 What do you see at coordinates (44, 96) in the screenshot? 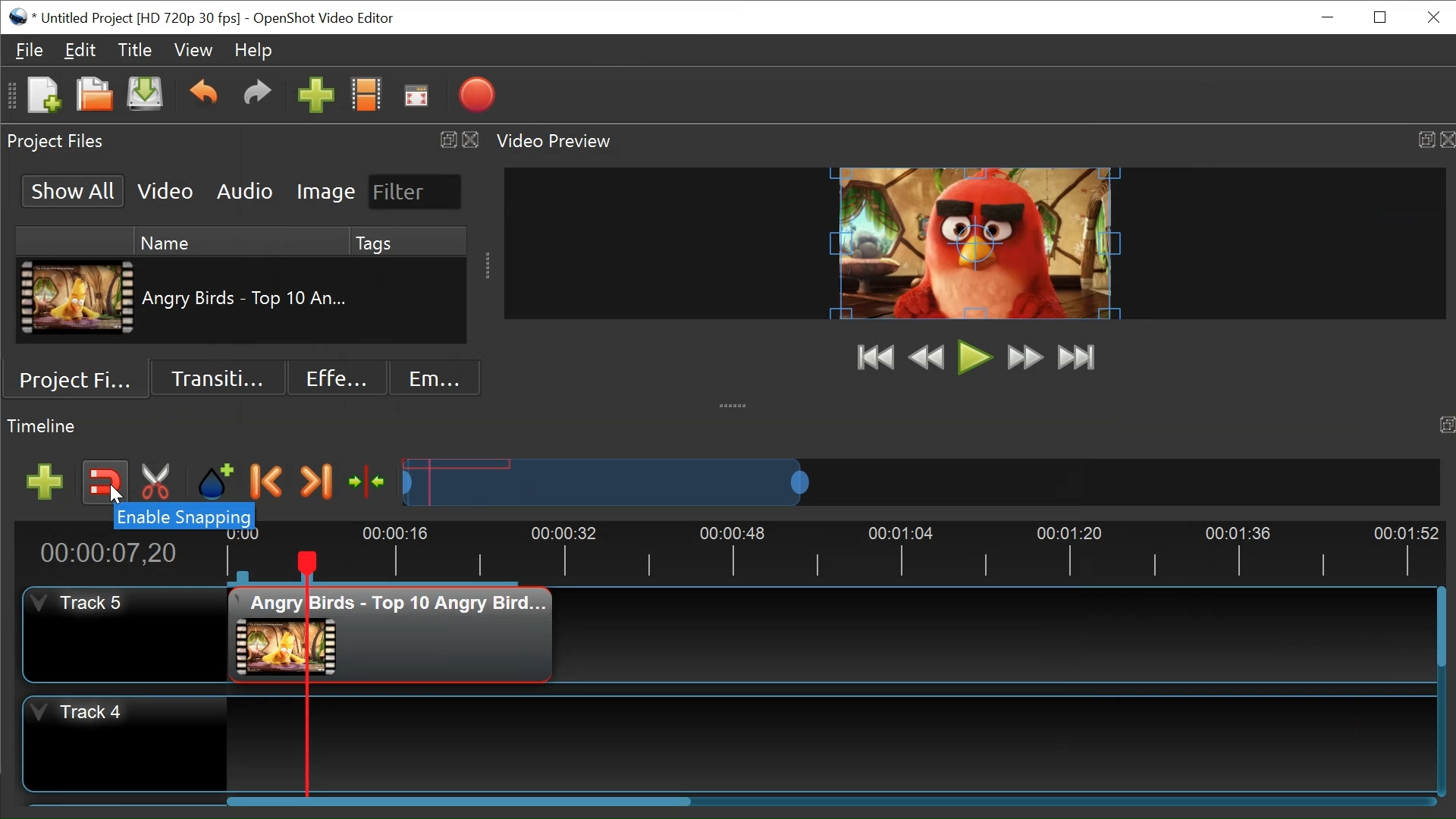
I see `New File` at bounding box center [44, 96].